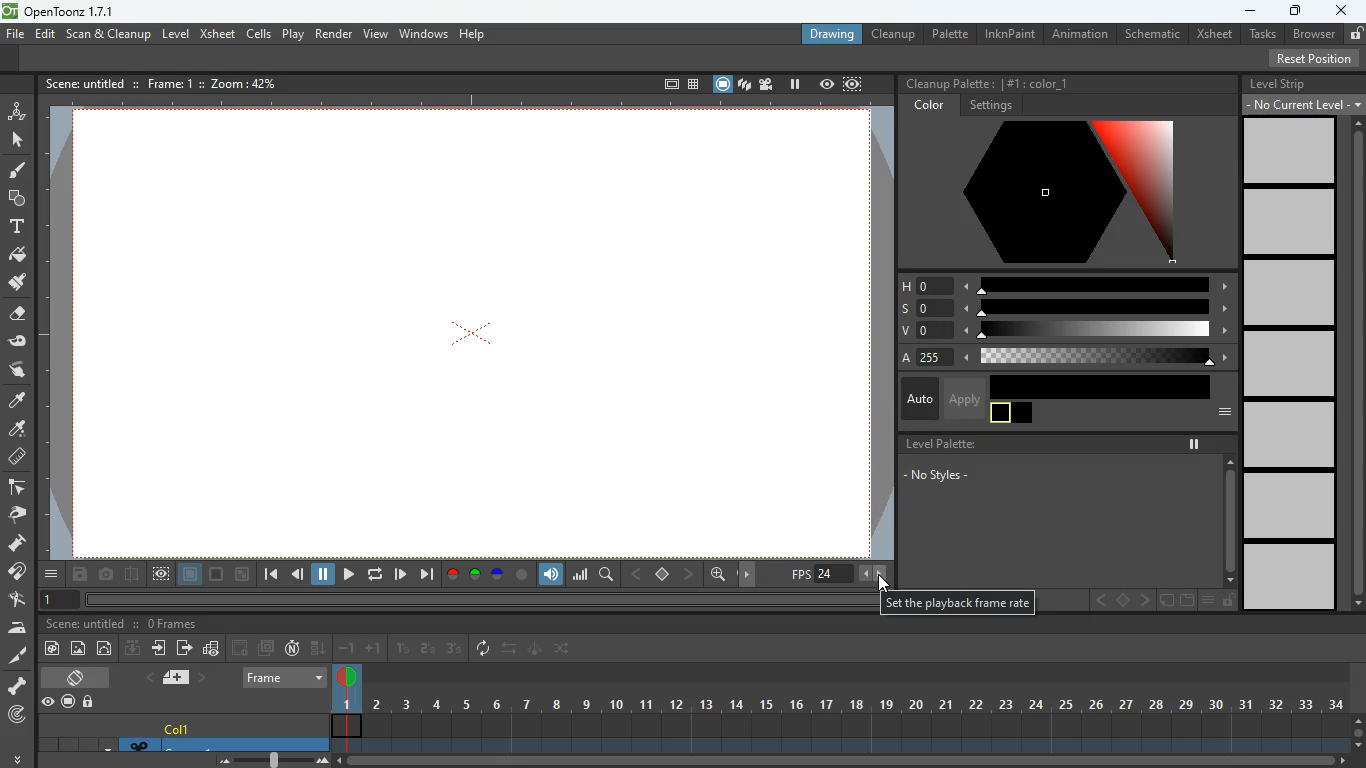 The width and height of the screenshot is (1366, 768). What do you see at coordinates (510, 648) in the screenshot?
I see `swap` at bounding box center [510, 648].